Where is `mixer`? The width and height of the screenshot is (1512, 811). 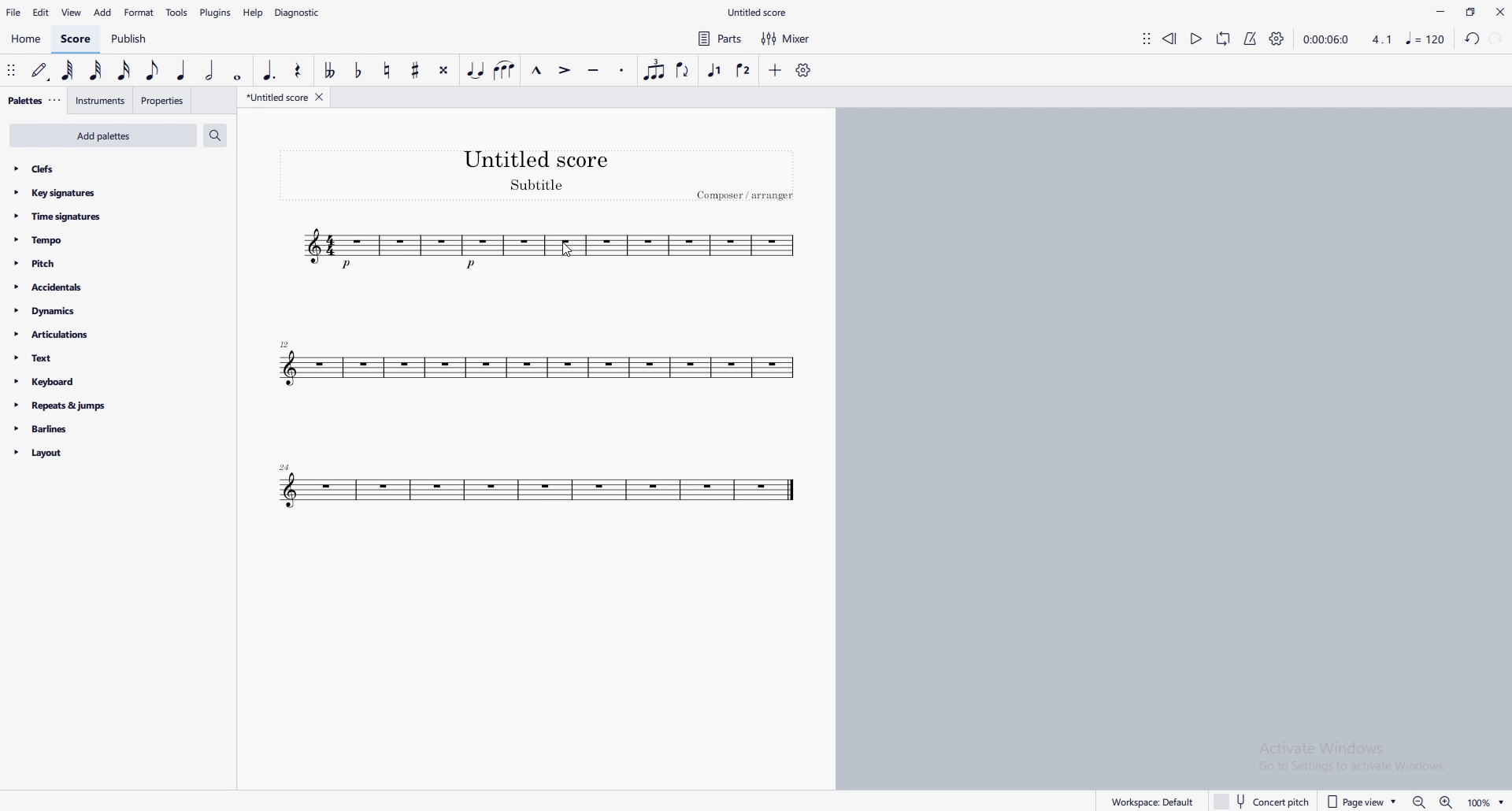
mixer is located at coordinates (785, 39).